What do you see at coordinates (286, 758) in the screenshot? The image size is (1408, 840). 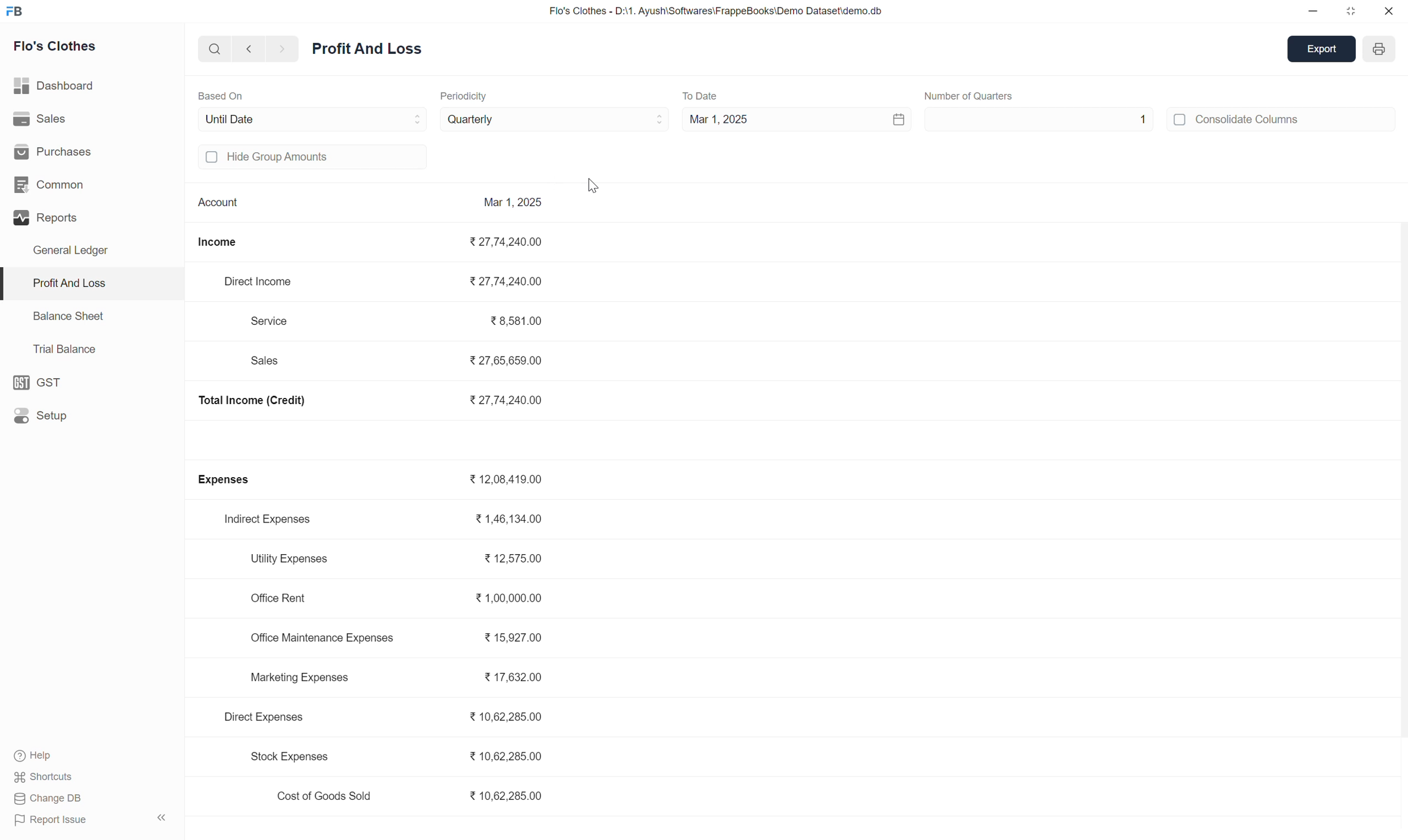 I see `Stock Expenses` at bounding box center [286, 758].